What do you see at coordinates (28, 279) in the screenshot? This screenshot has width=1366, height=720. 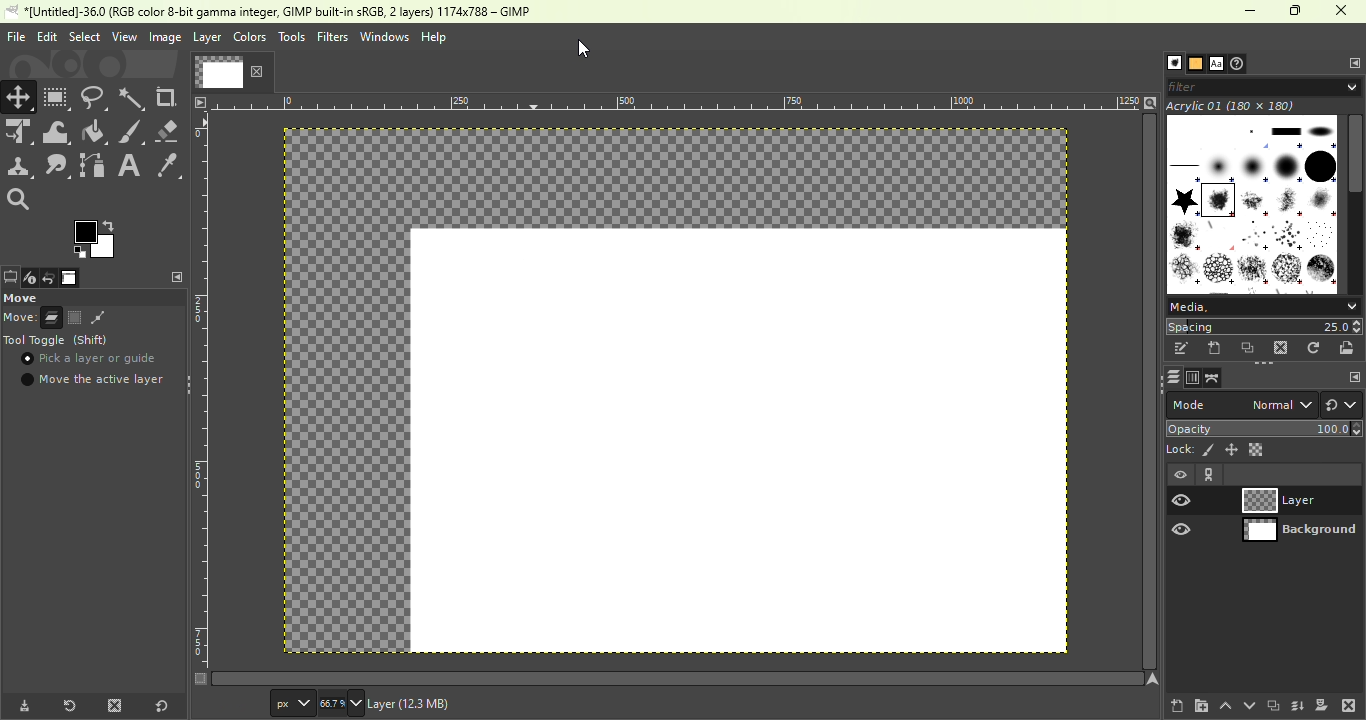 I see `Device status` at bounding box center [28, 279].